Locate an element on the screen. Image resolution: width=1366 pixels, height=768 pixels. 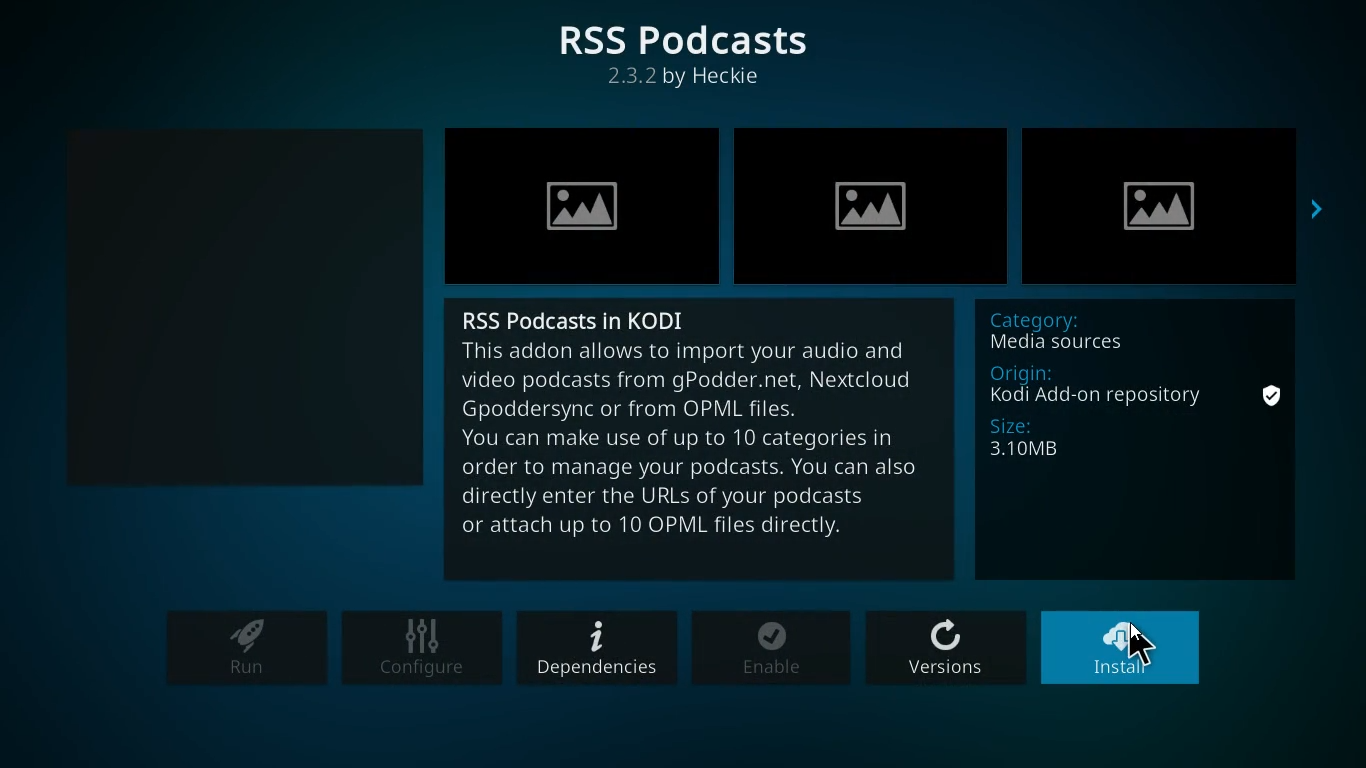
size is located at coordinates (1059, 442).